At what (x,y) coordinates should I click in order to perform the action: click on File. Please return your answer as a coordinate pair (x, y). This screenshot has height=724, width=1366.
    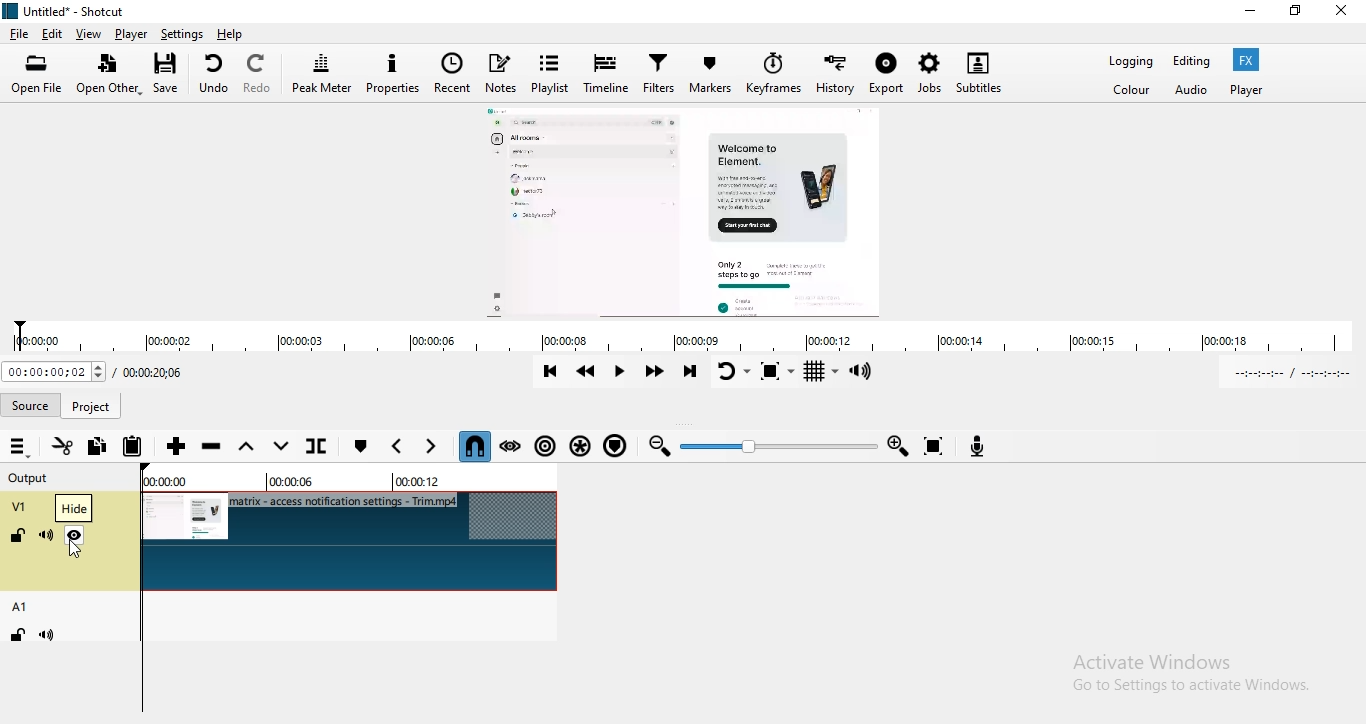
    Looking at the image, I should click on (18, 33).